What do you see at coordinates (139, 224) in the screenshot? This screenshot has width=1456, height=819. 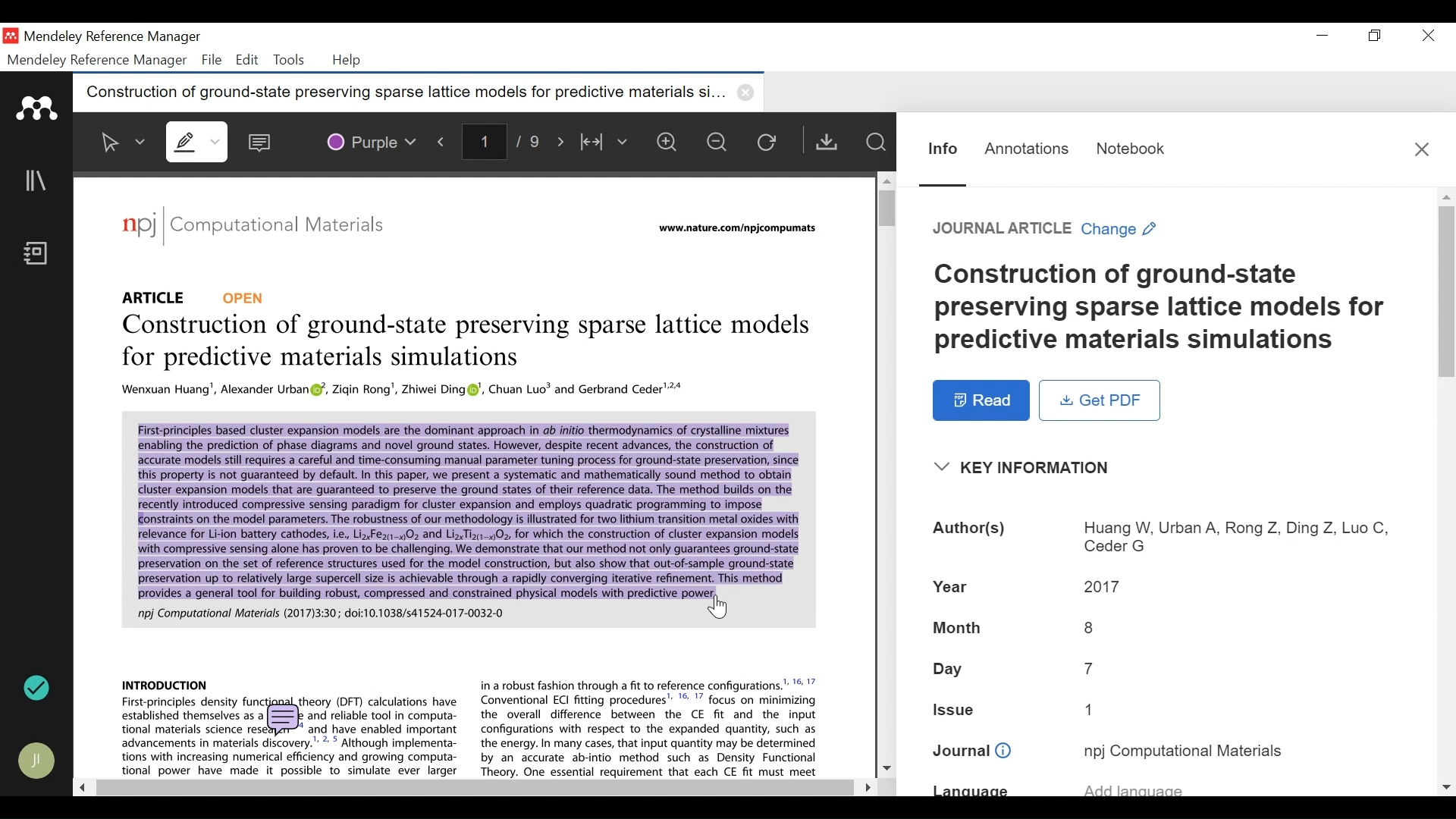 I see `logo` at bounding box center [139, 224].